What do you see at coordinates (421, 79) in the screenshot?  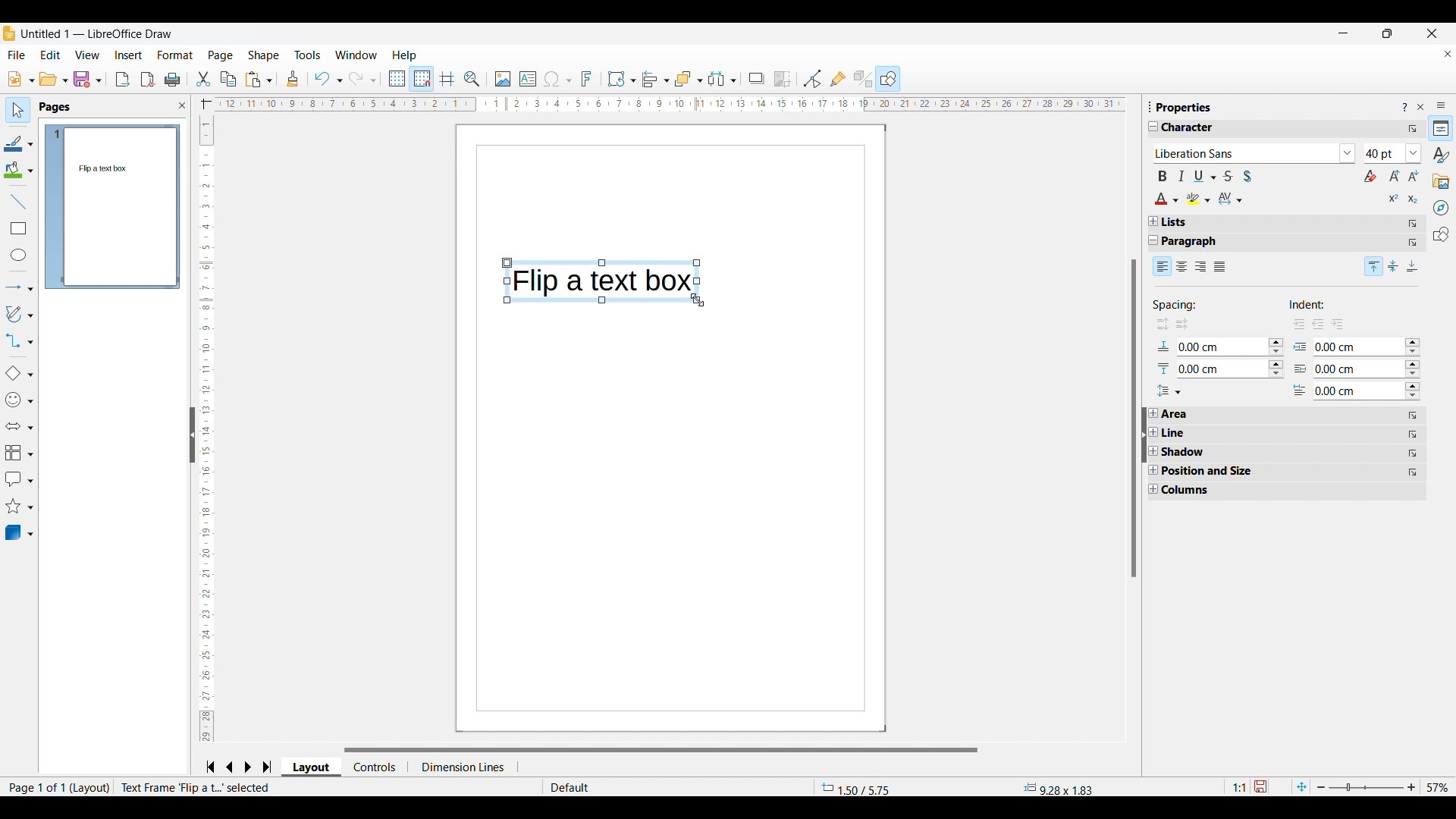 I see `Snap to grid, highlighted` at bounding box center [421, 79].